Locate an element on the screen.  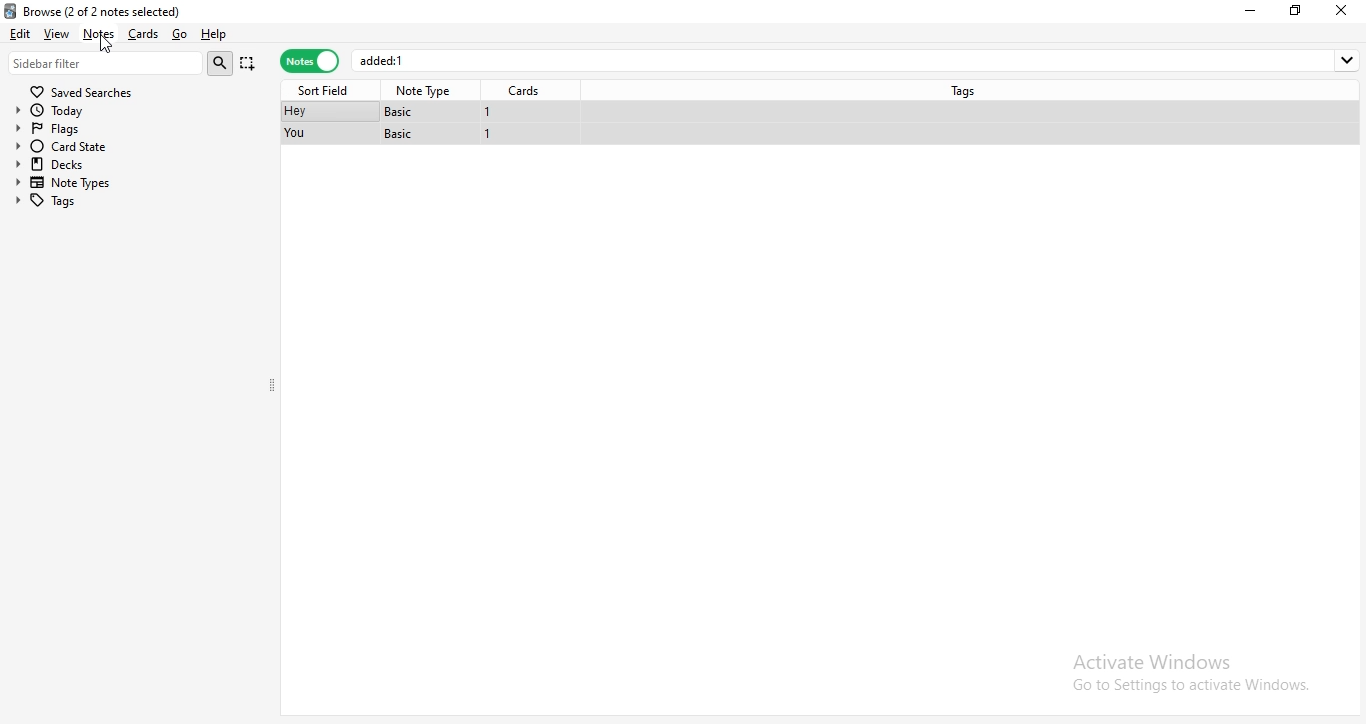
basic is located at coordinates (401, 134).